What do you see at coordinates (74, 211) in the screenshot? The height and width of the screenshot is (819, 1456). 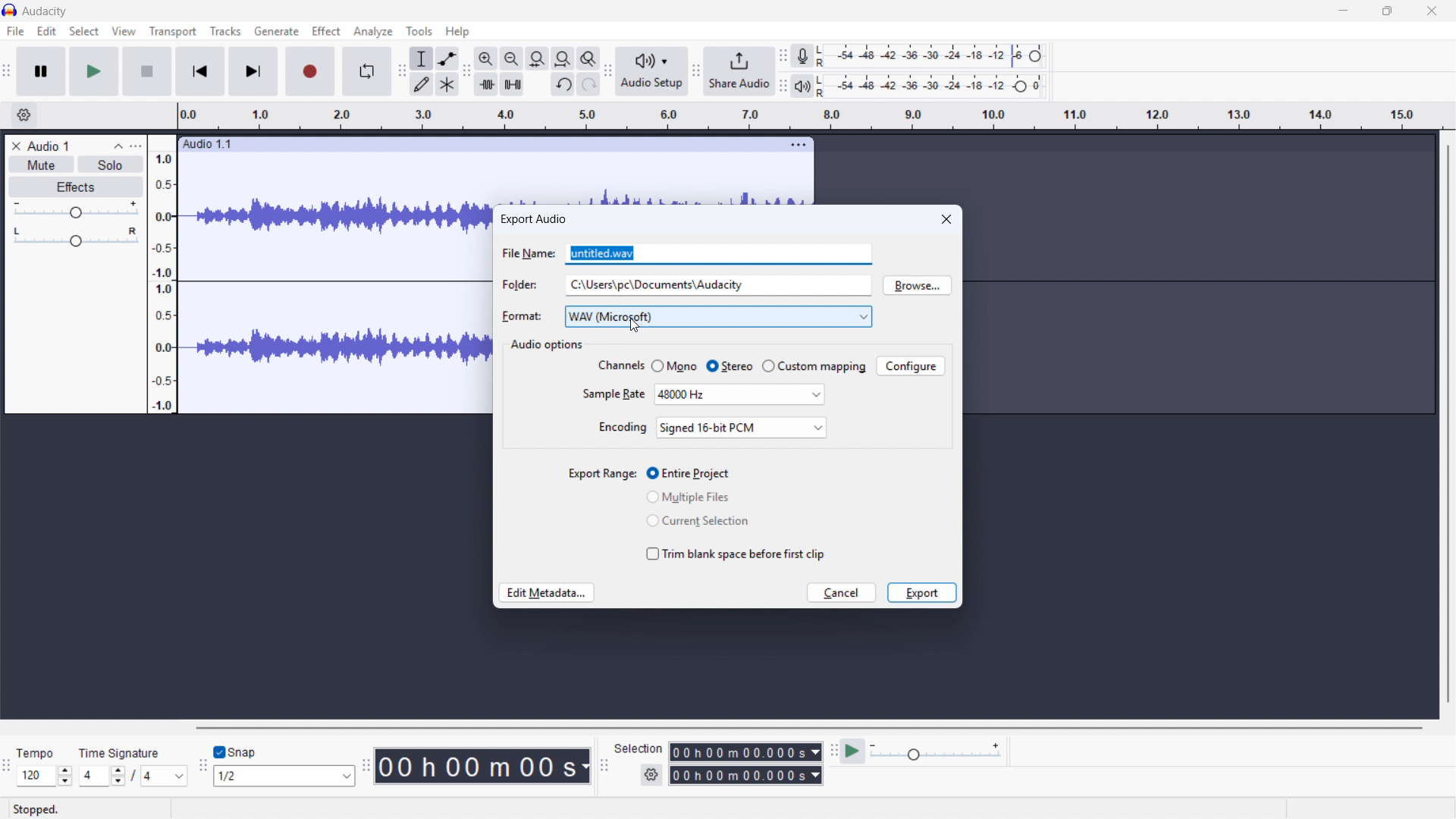 I see `gain ` at bounding box center [74, 211].